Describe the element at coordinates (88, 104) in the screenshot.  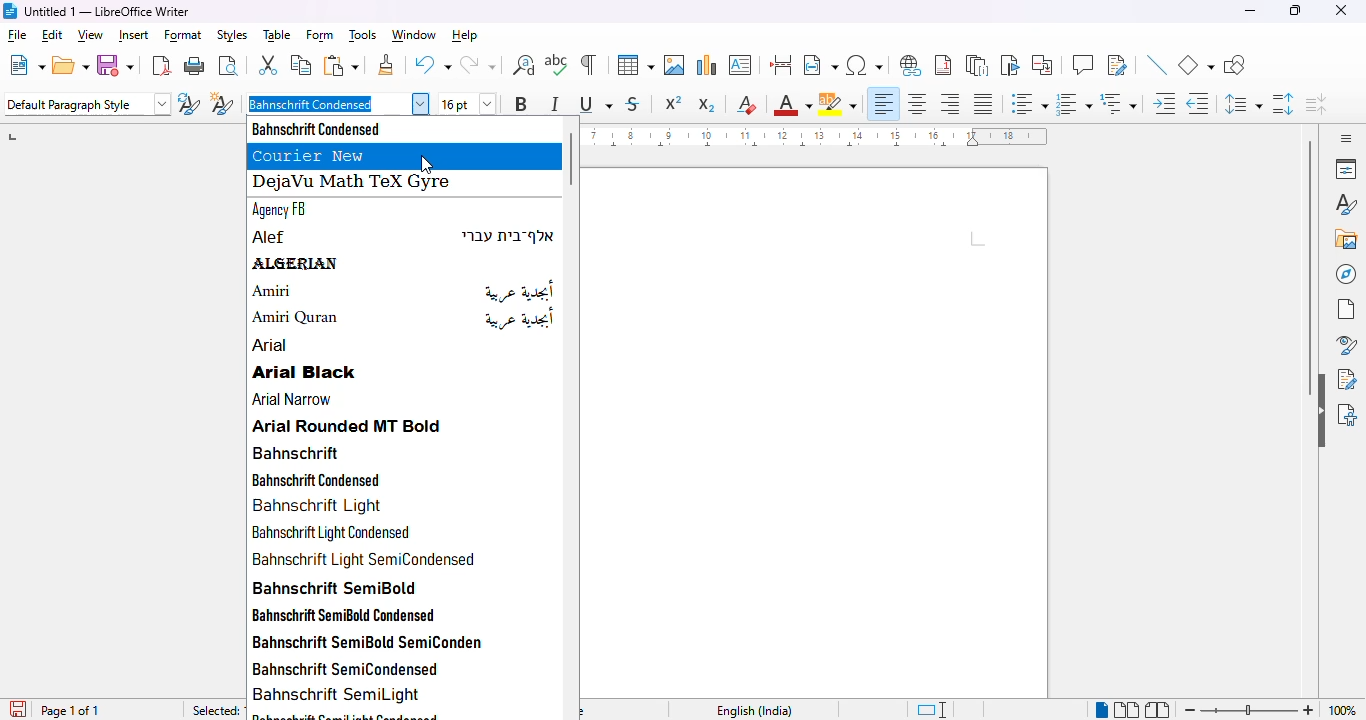
I see `set paragraph style` at that location.